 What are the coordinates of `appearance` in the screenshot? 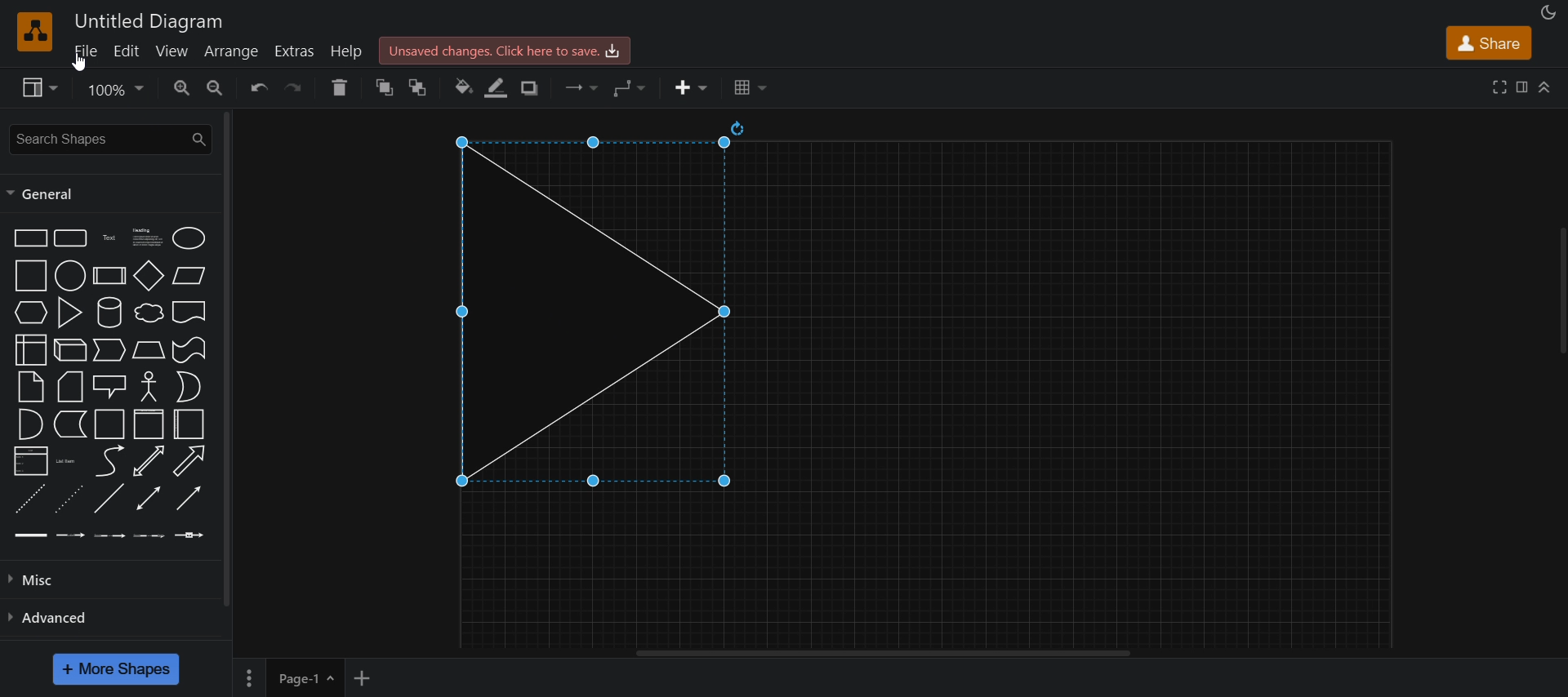 It's located at (1546, 12).